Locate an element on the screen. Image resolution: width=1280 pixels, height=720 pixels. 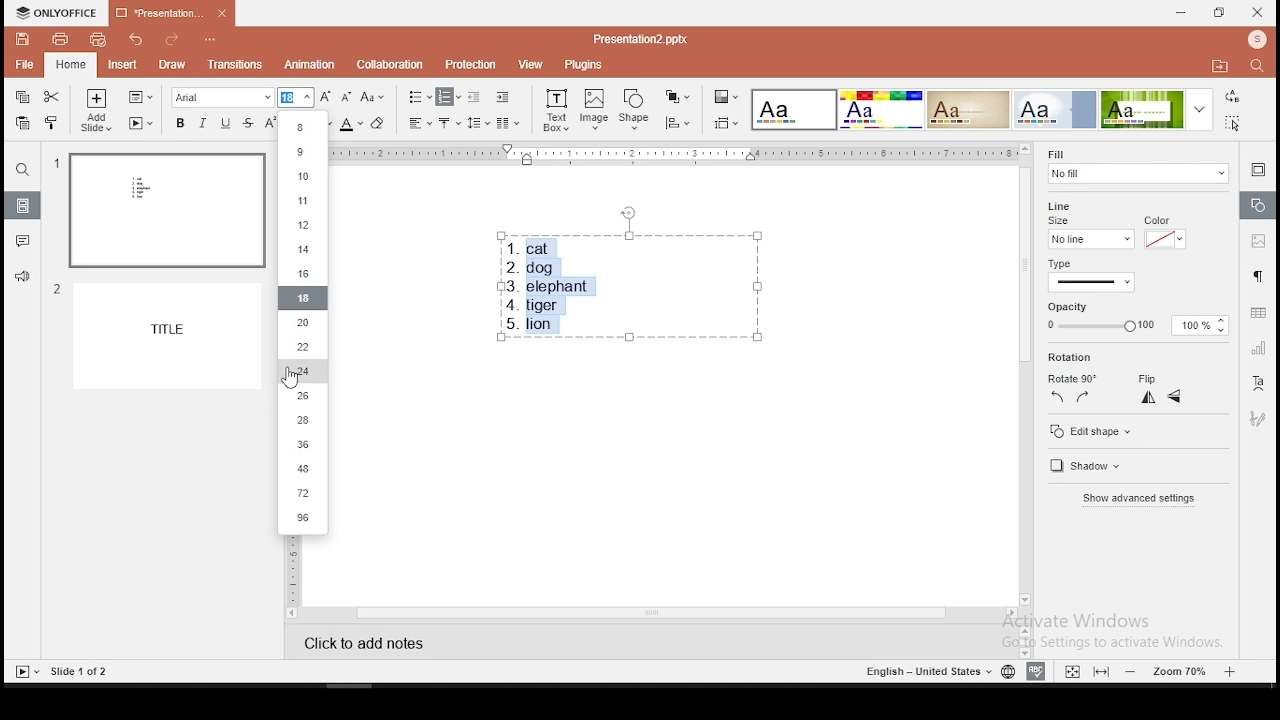
fit to slide is located at coordinates (1100, 671).